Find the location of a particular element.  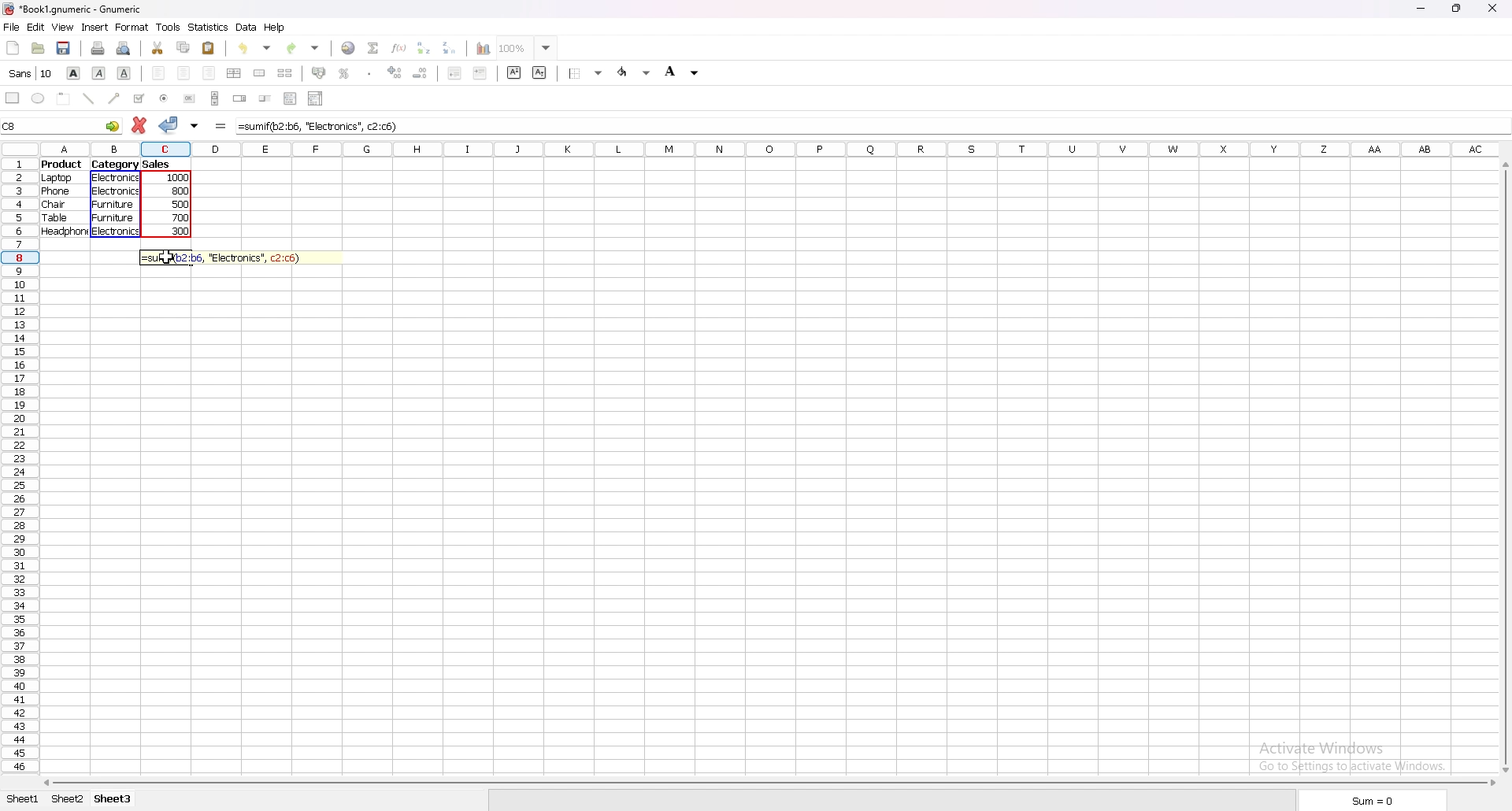

700 is located at coordinates (183, 219).